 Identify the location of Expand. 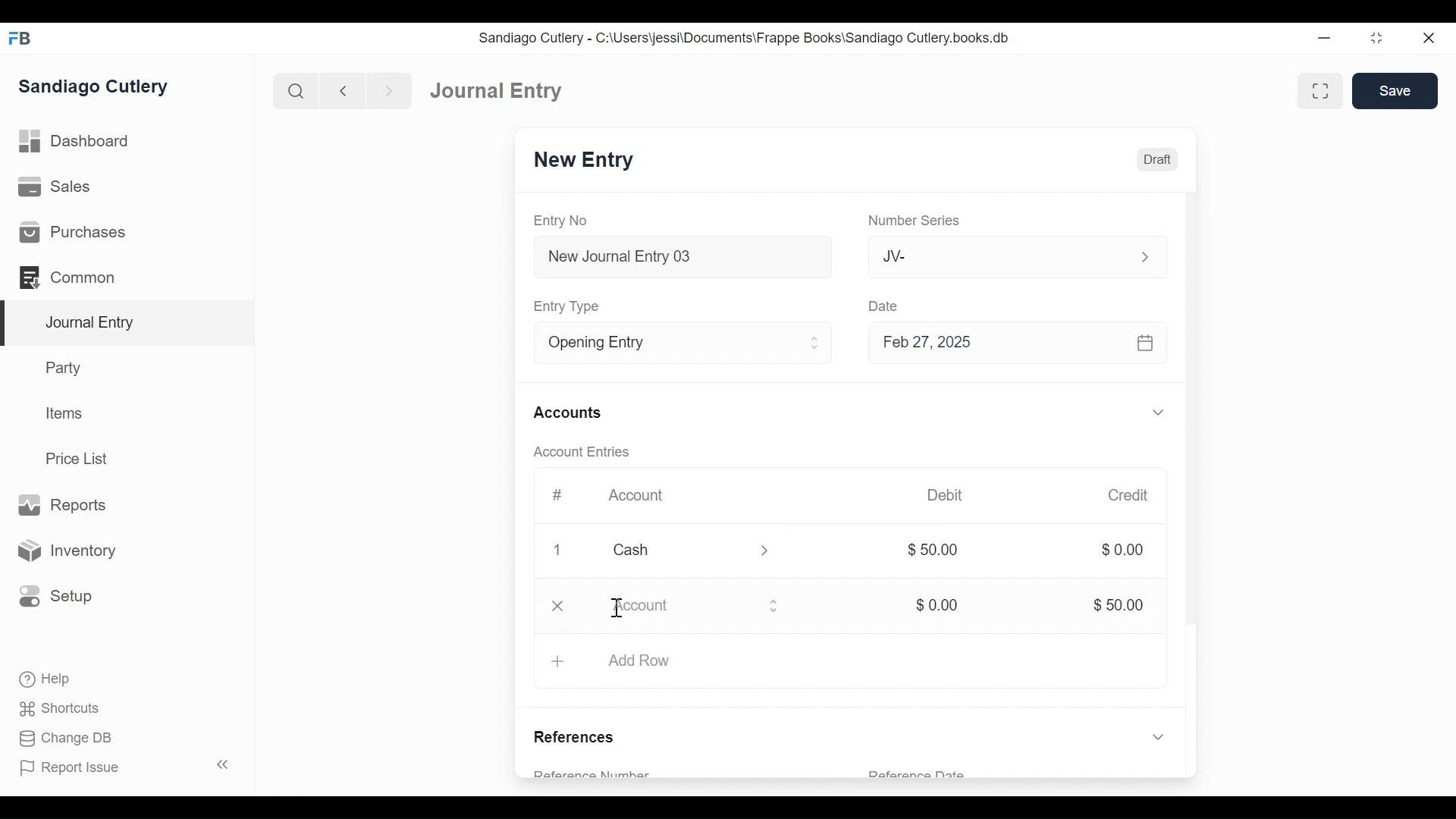
(772, 605).